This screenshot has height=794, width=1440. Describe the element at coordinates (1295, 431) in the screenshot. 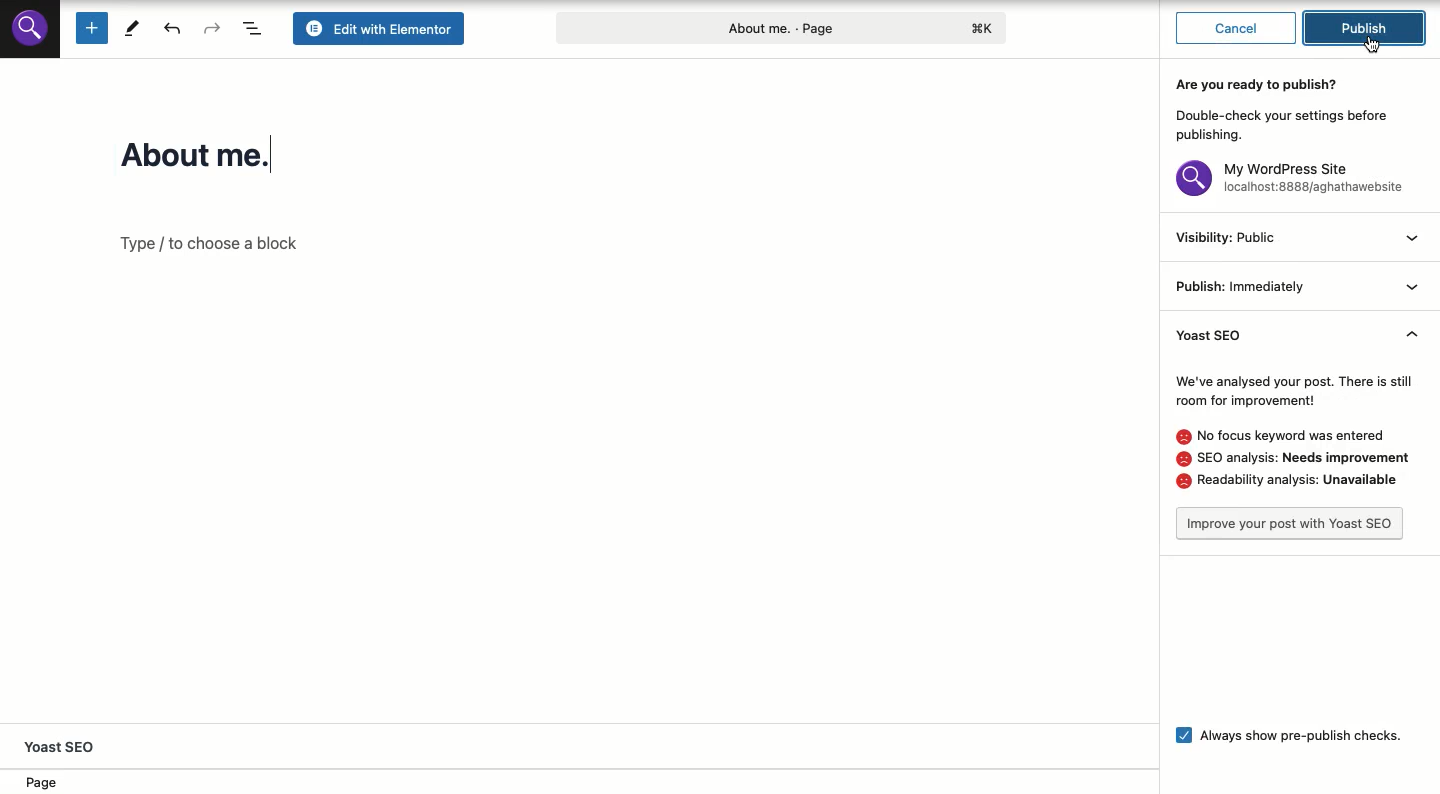

I see `We've analysed your post. There is stillroom for improvement! No focus keyword was entered SEO analysis: Needs improvement Readability analysis: Unavailable` at that location.